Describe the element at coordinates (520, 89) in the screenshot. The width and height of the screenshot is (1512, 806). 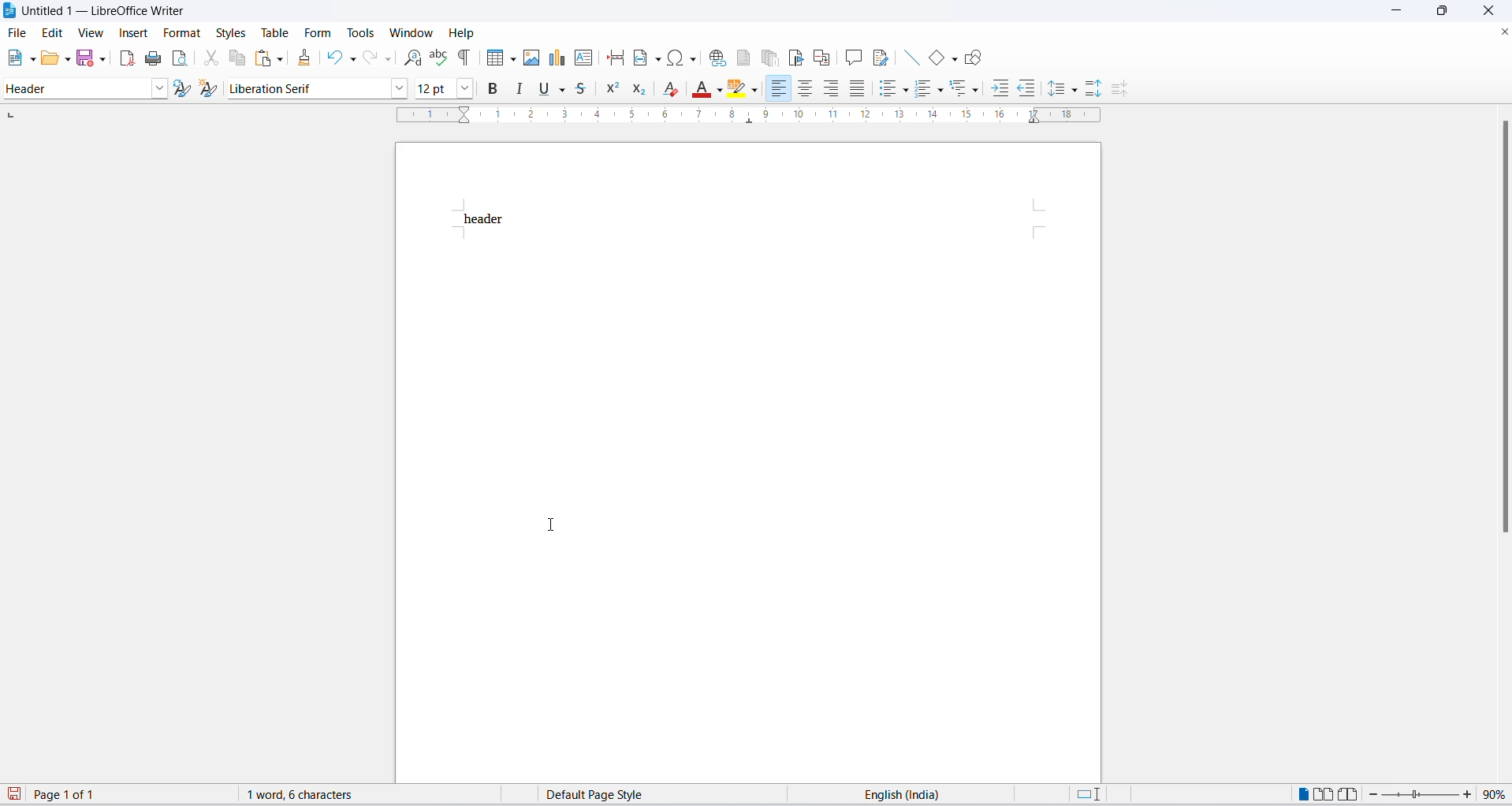
I see `italic` at that location.